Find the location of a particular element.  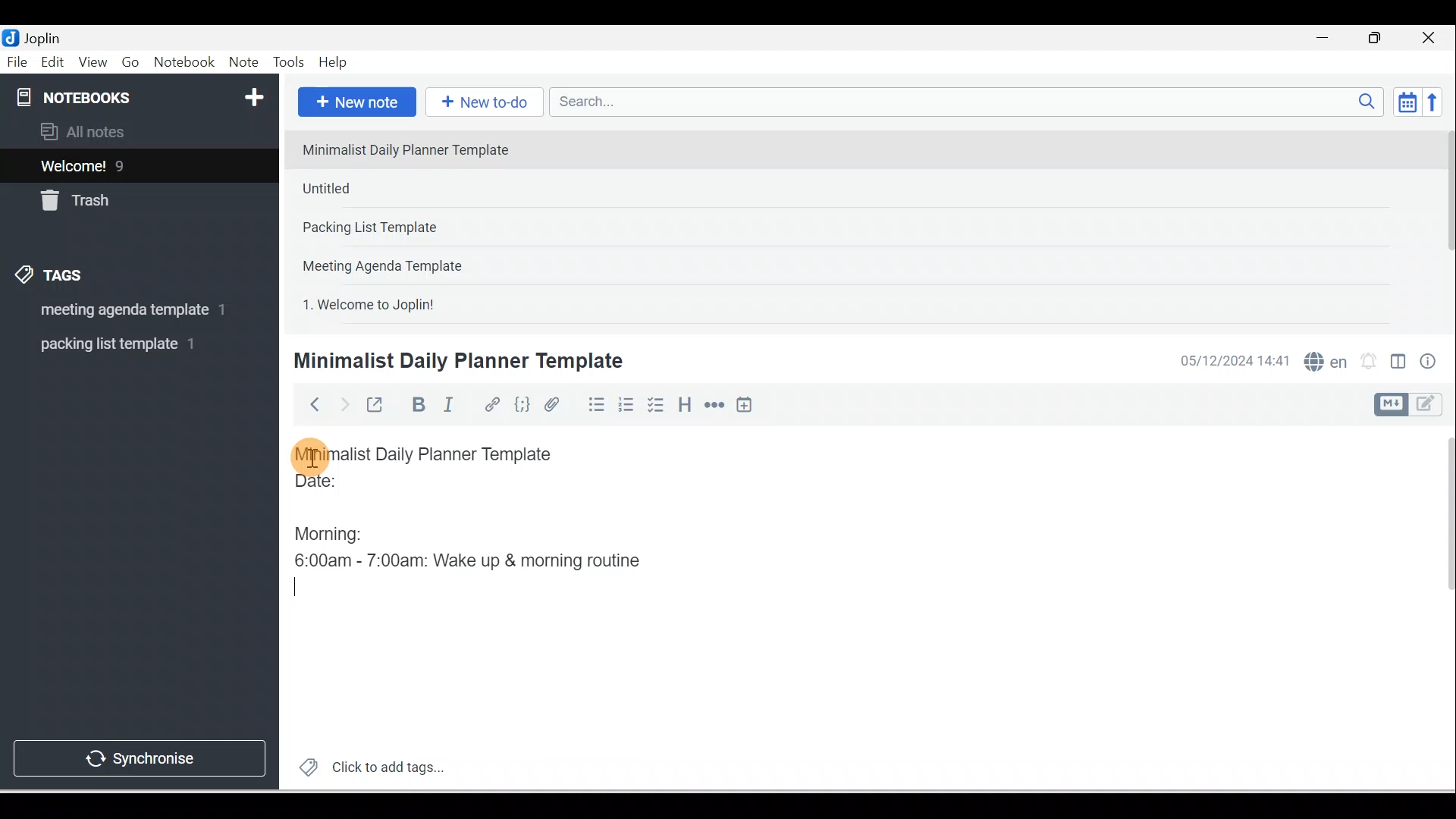

Trash is located at coordinates (111, 196).